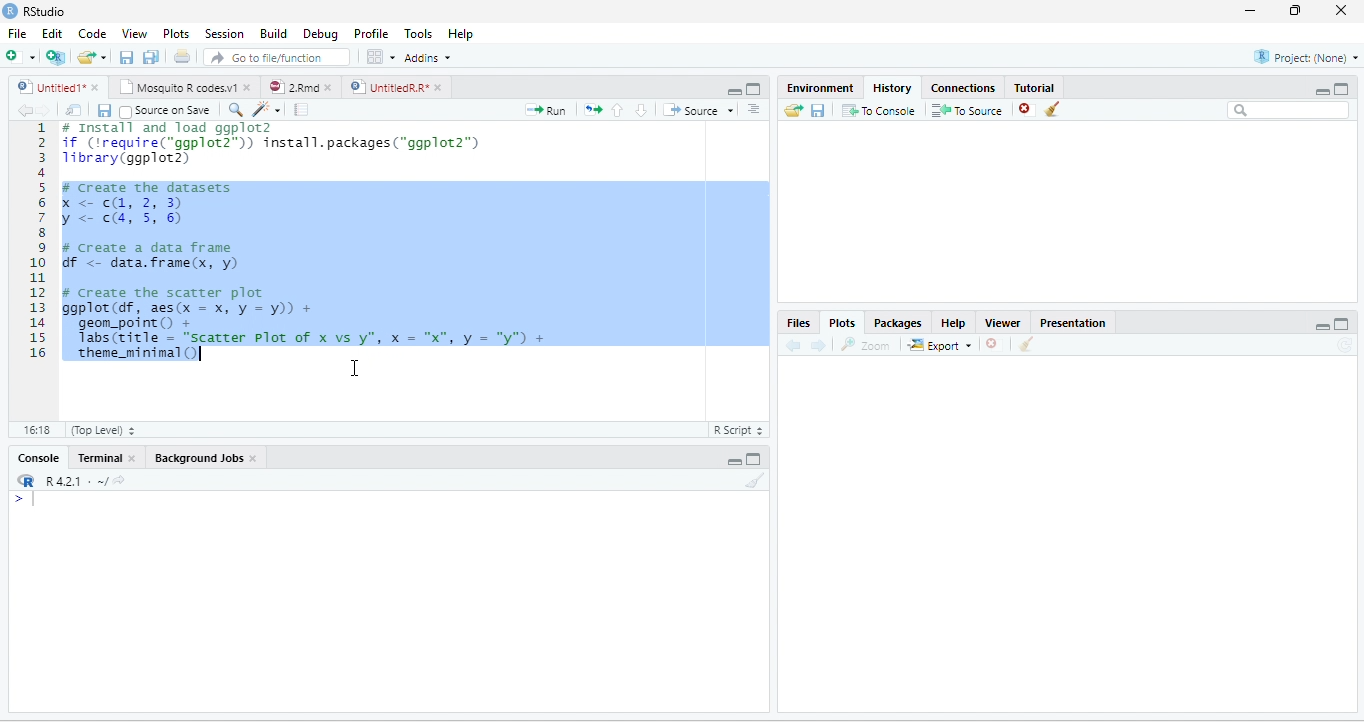  Describe the element at coordinates (21, 56) in the screenshot. I see `New file` at that location.